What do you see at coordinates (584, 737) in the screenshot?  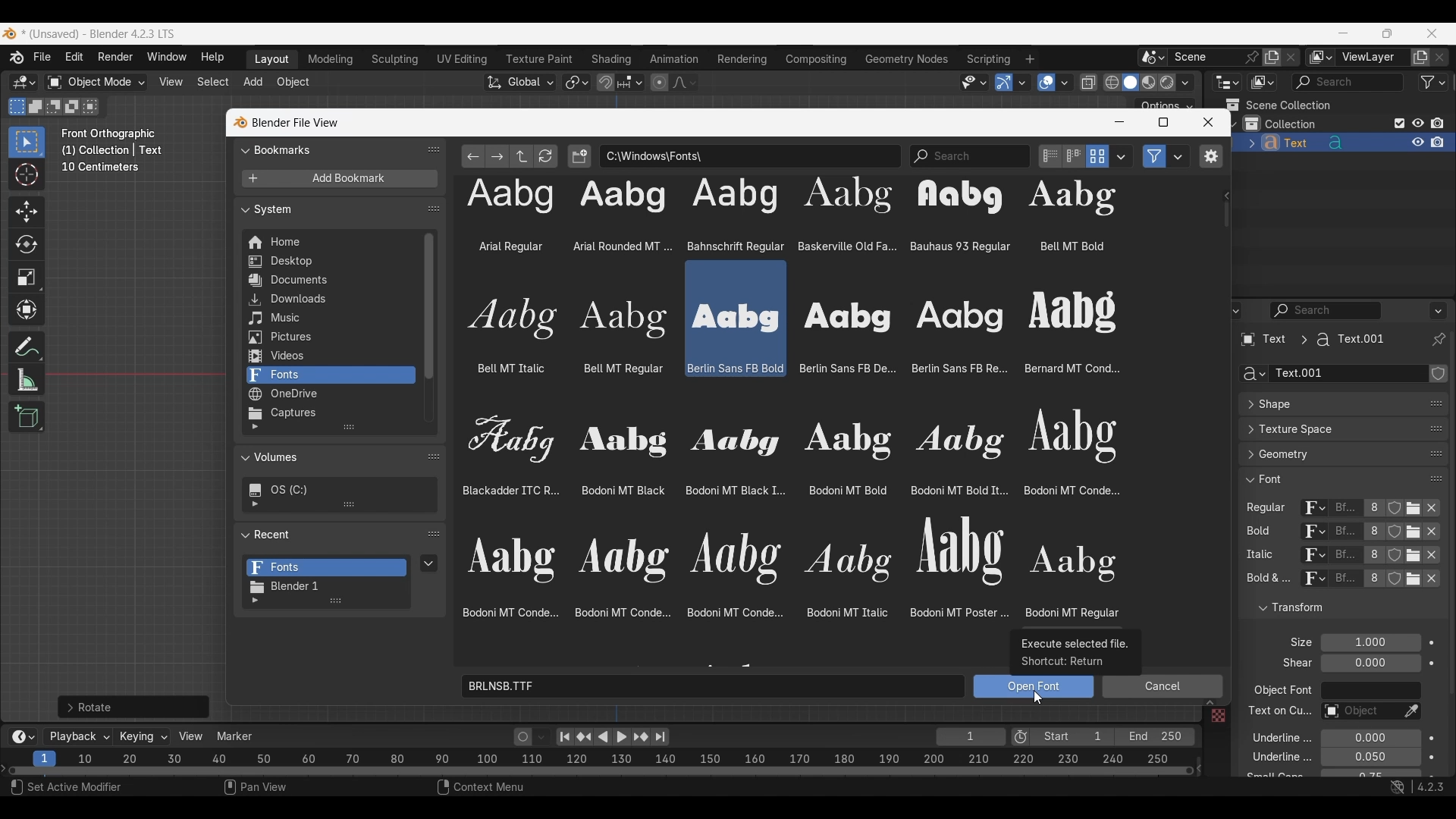 I see `Jump to key frame` at bounding box center [584, 737].